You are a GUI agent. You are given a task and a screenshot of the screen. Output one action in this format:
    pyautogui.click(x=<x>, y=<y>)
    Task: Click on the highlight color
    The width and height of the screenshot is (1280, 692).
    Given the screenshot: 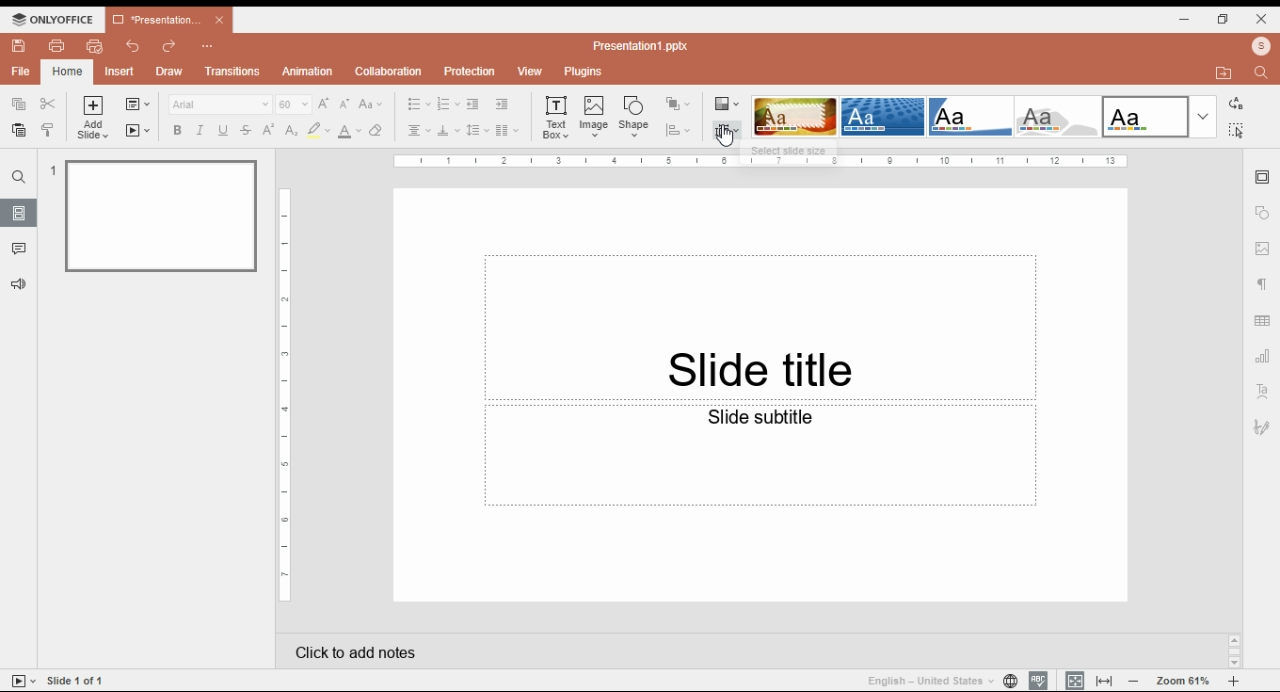 What is the action you would take?
    pyautogui.click(x=318, y=130)
    